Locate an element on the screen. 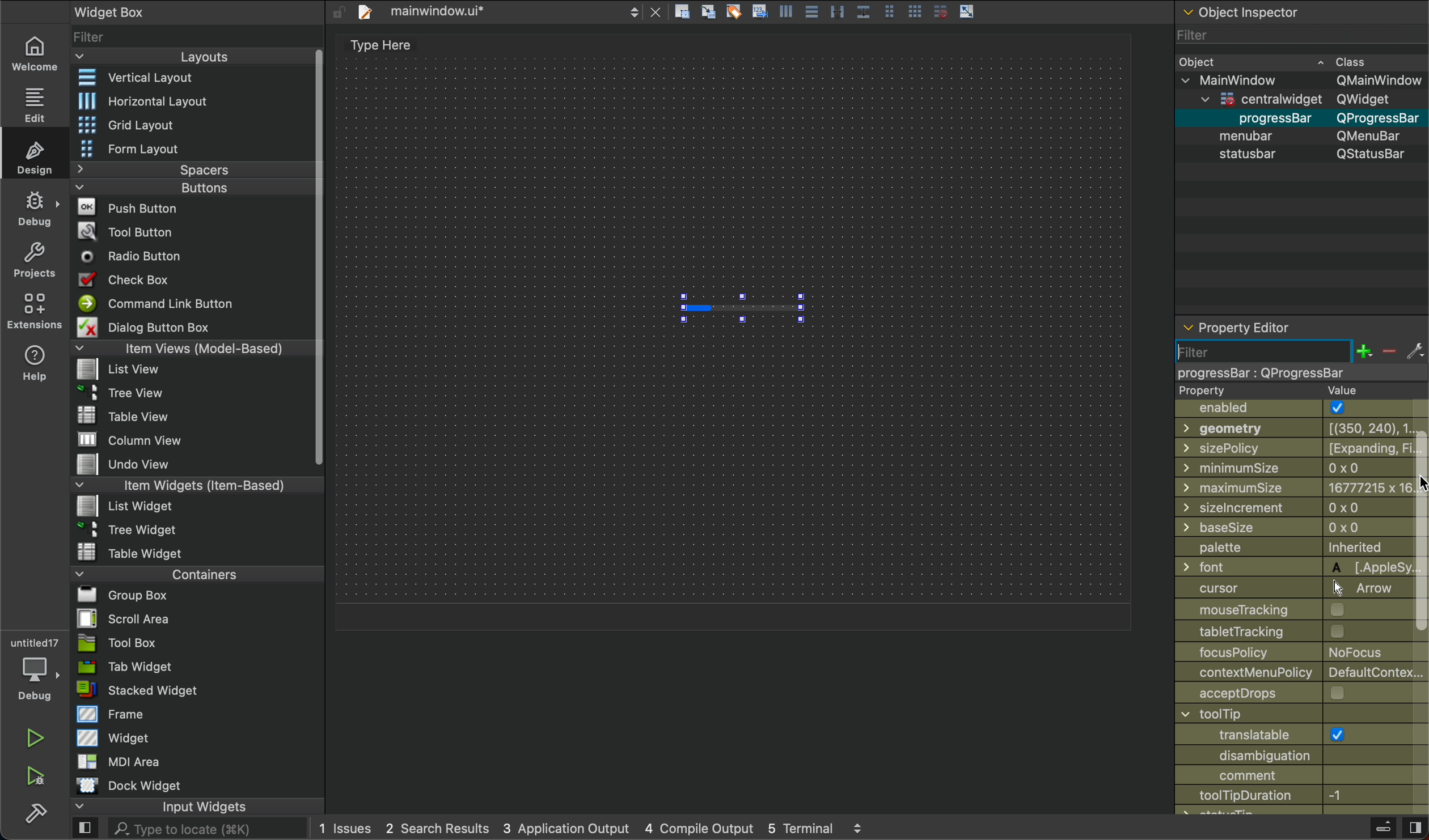 The width and height of the screenshot is (1429, 840). context menu policy is located at coordinates (1301, 672).